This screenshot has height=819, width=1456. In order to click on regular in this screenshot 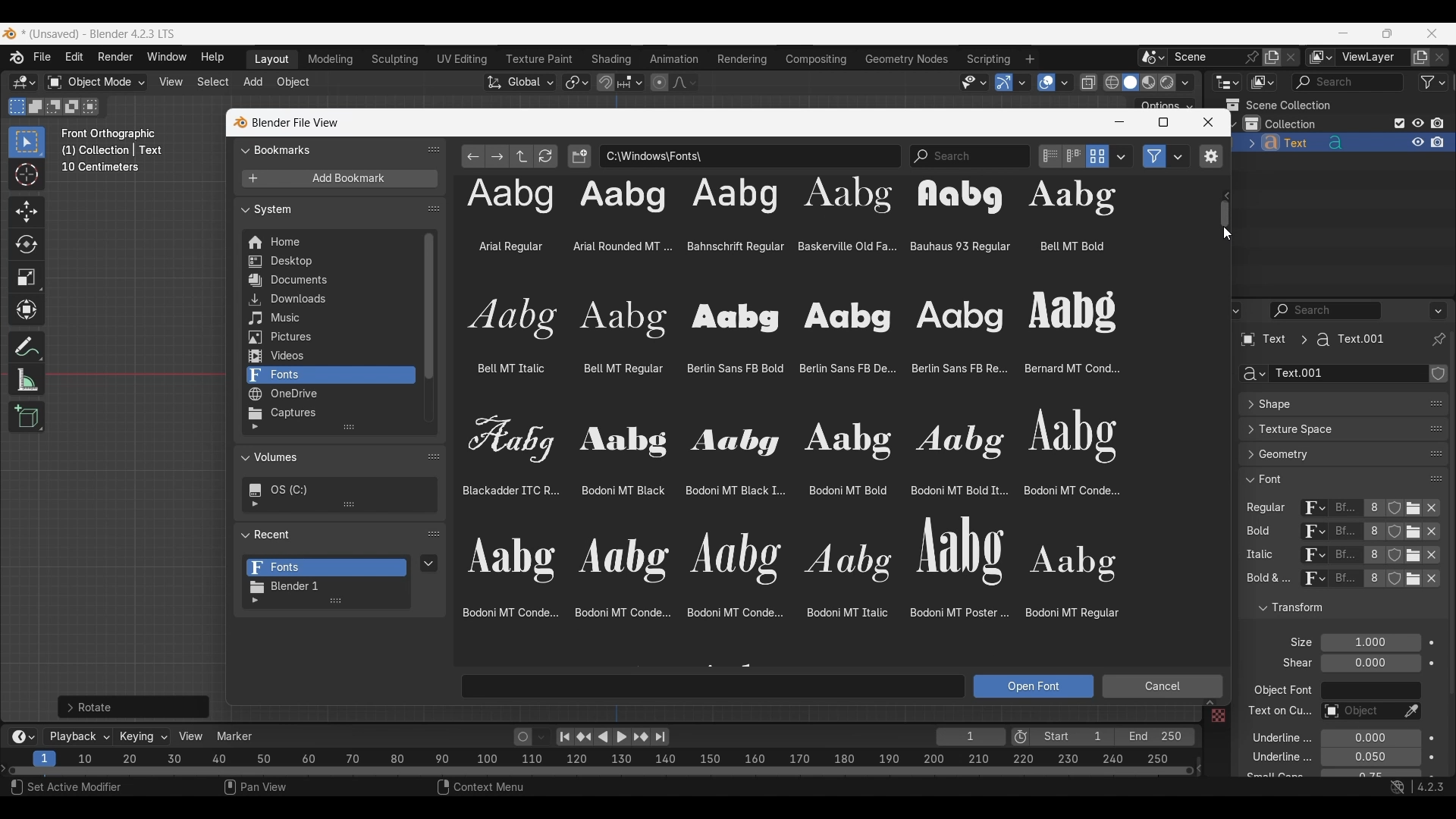, I will do `click(1269, 509)`.